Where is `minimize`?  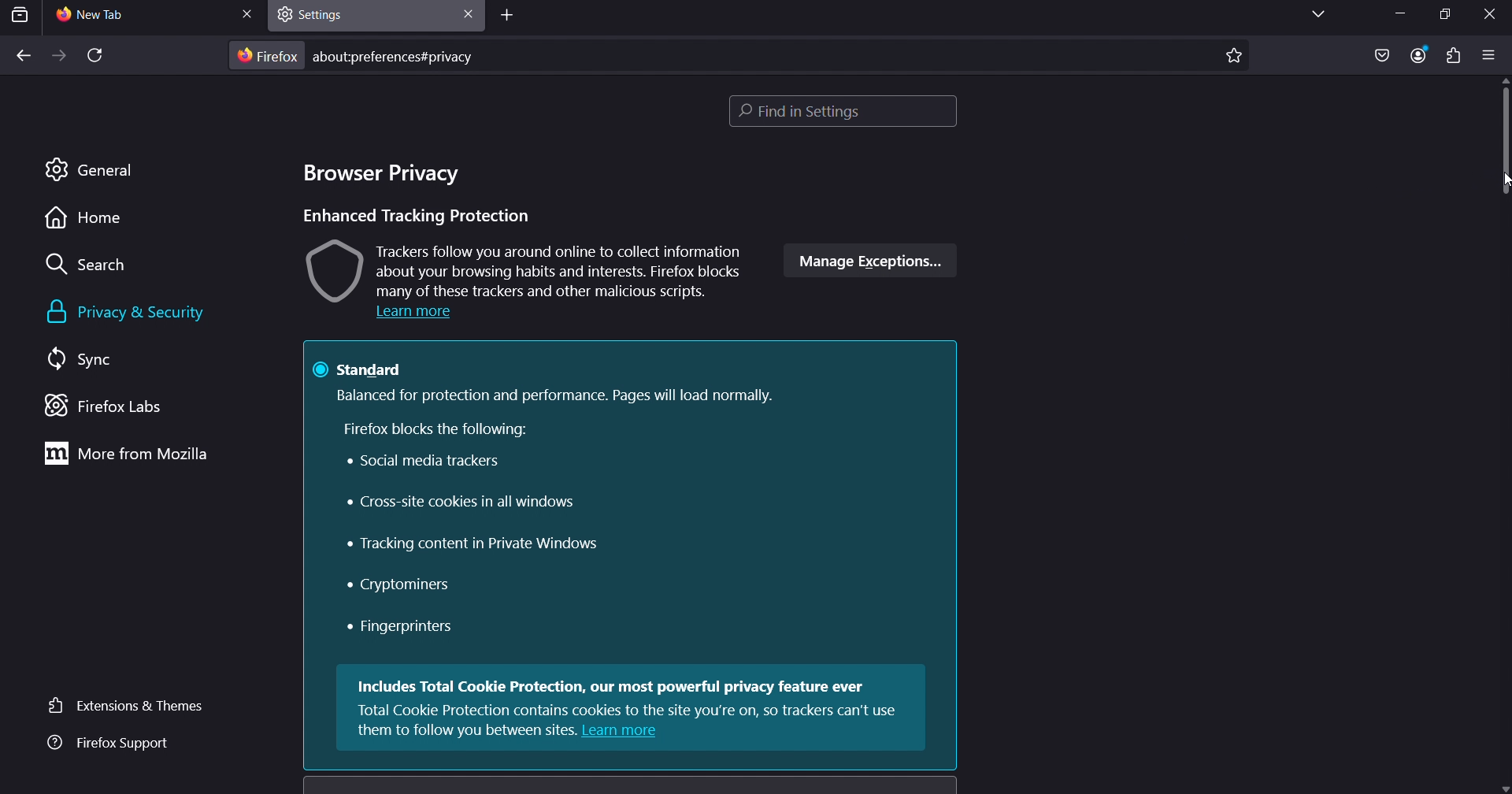 minimize is located at coordinates (1397, 16).